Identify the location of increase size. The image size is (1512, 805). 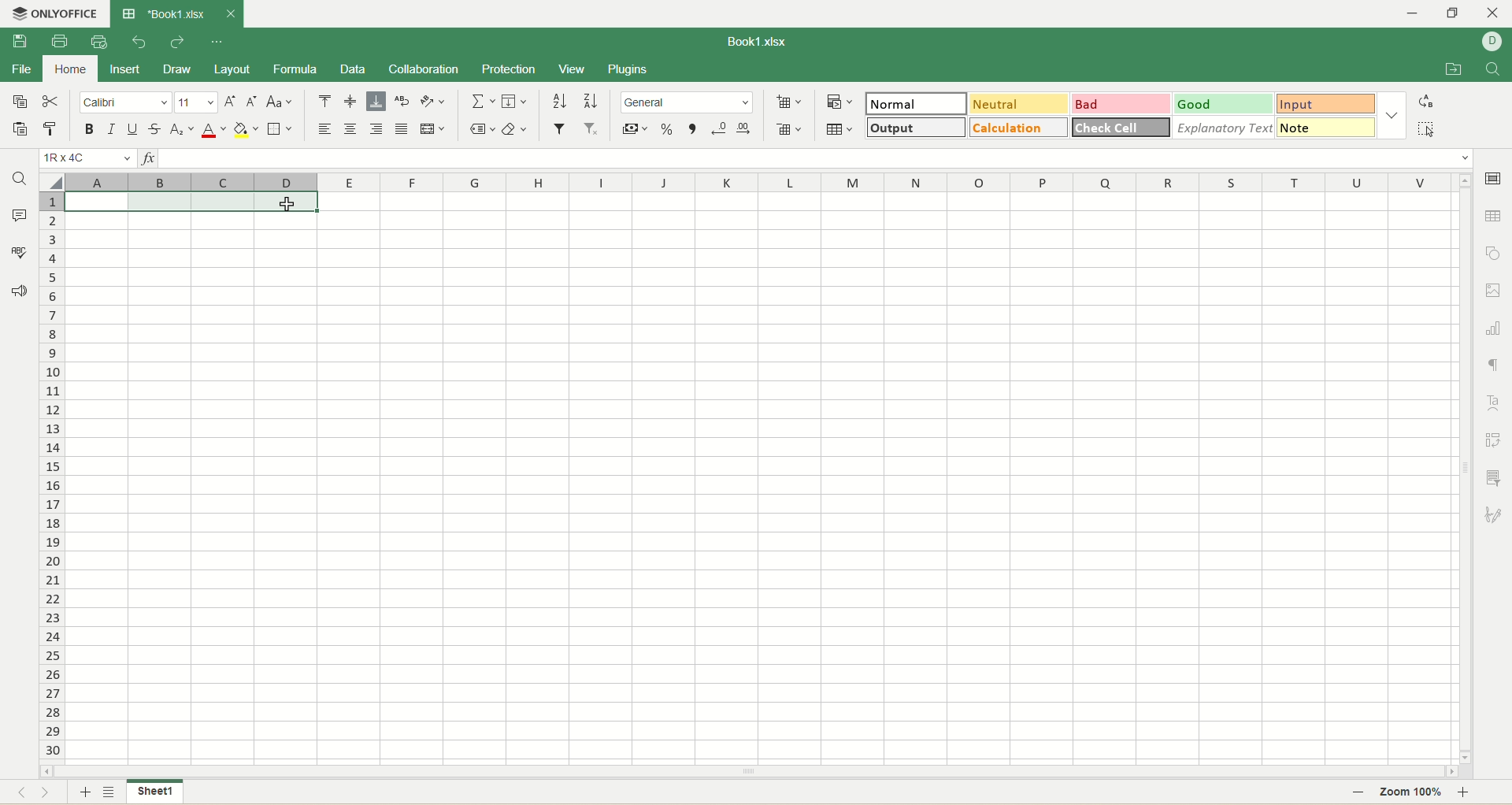
(232, 102).